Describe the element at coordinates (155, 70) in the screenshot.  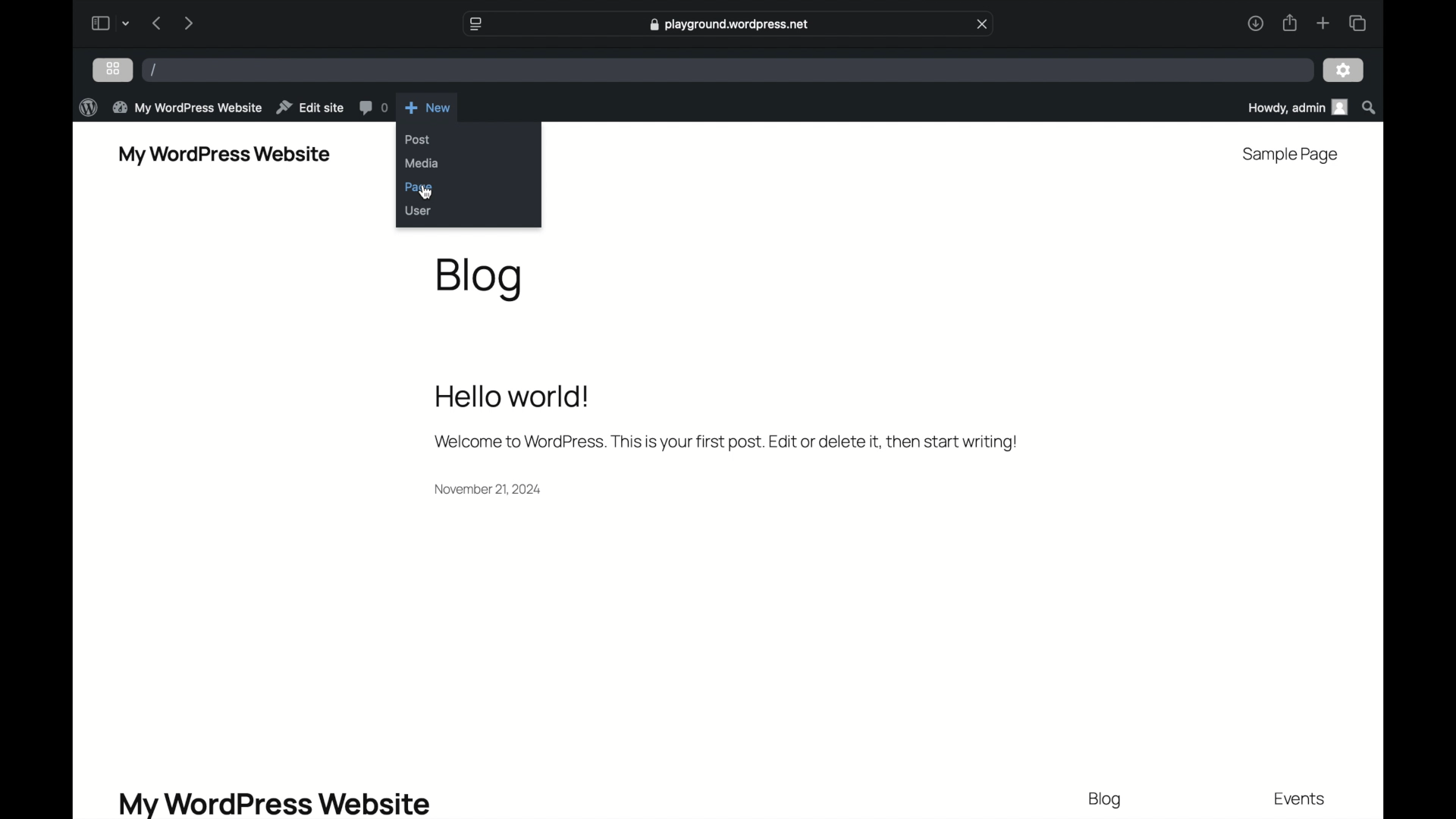
I see `/` at that location.